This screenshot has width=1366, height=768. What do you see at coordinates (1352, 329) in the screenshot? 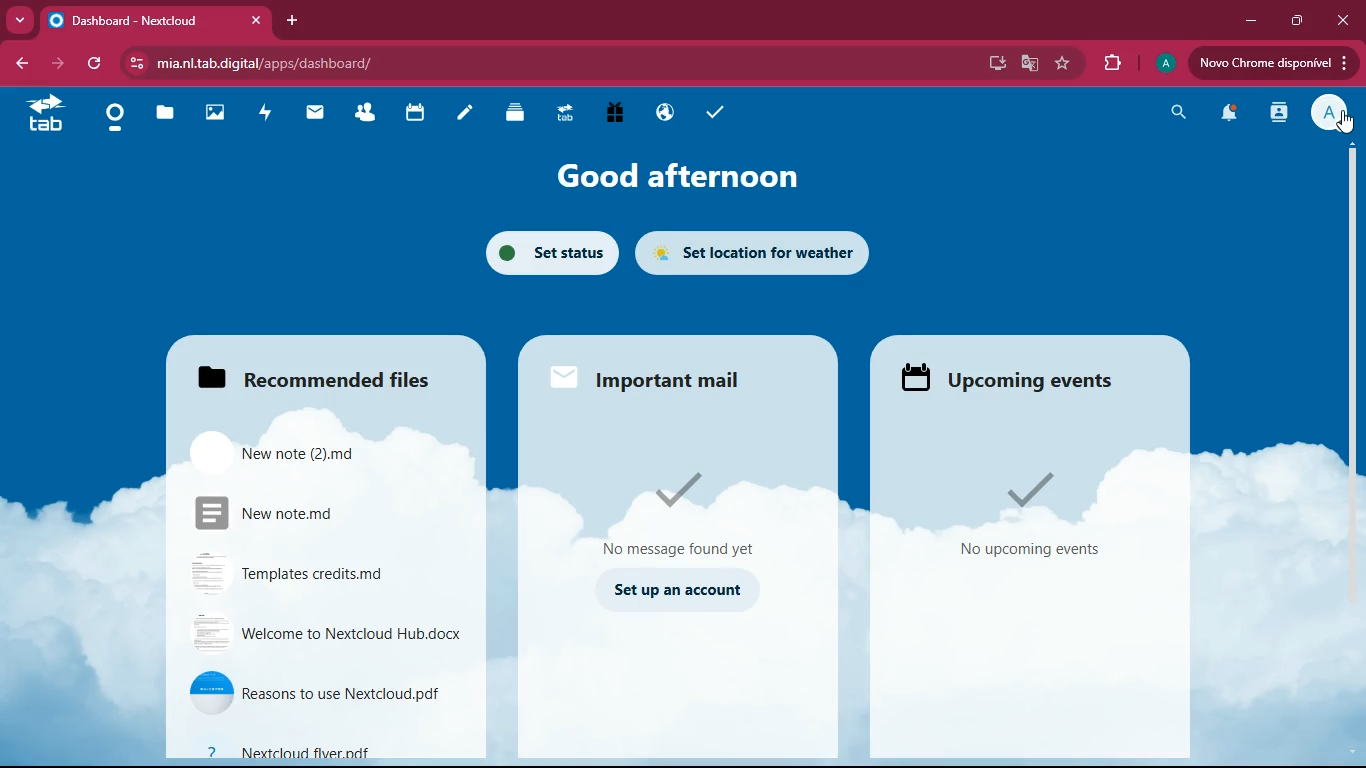
I see `scroll` at bounding box center [1352, 329].